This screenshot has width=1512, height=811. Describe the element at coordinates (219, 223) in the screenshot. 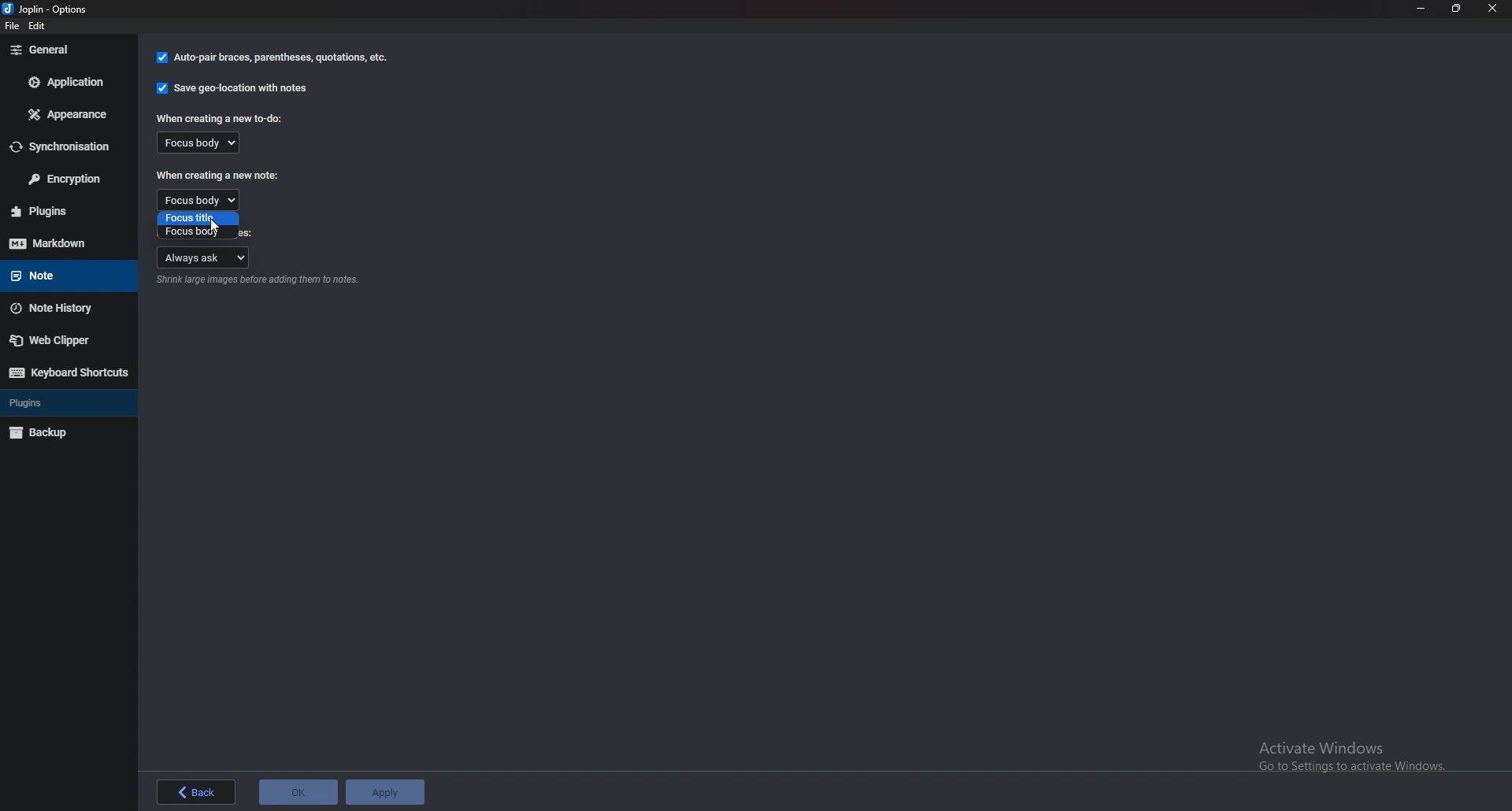

I see `cursor` at that location.